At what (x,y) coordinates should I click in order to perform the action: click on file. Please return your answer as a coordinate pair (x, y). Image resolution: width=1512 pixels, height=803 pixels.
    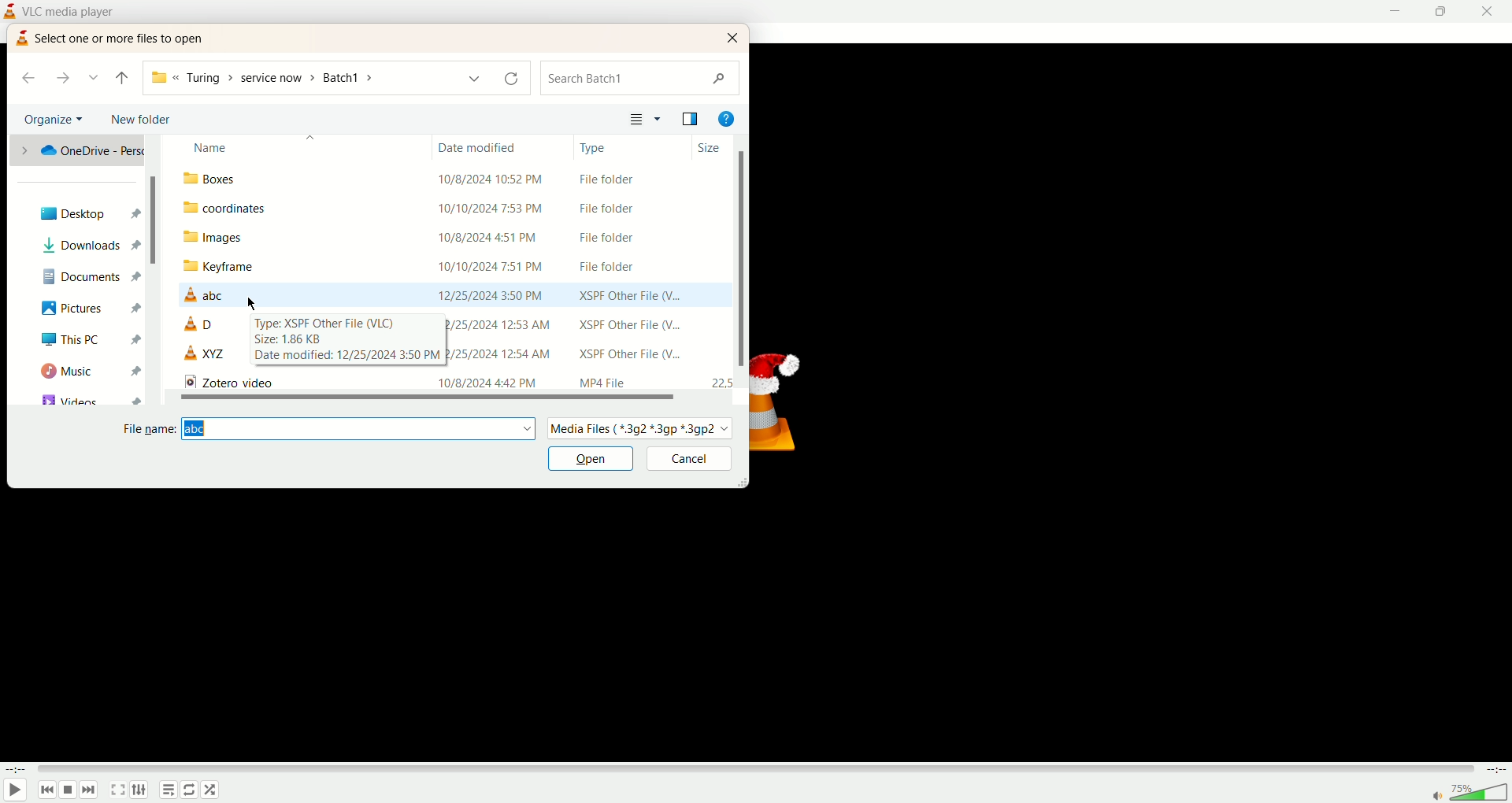
    Looking at the image, I should click on (451, 381).